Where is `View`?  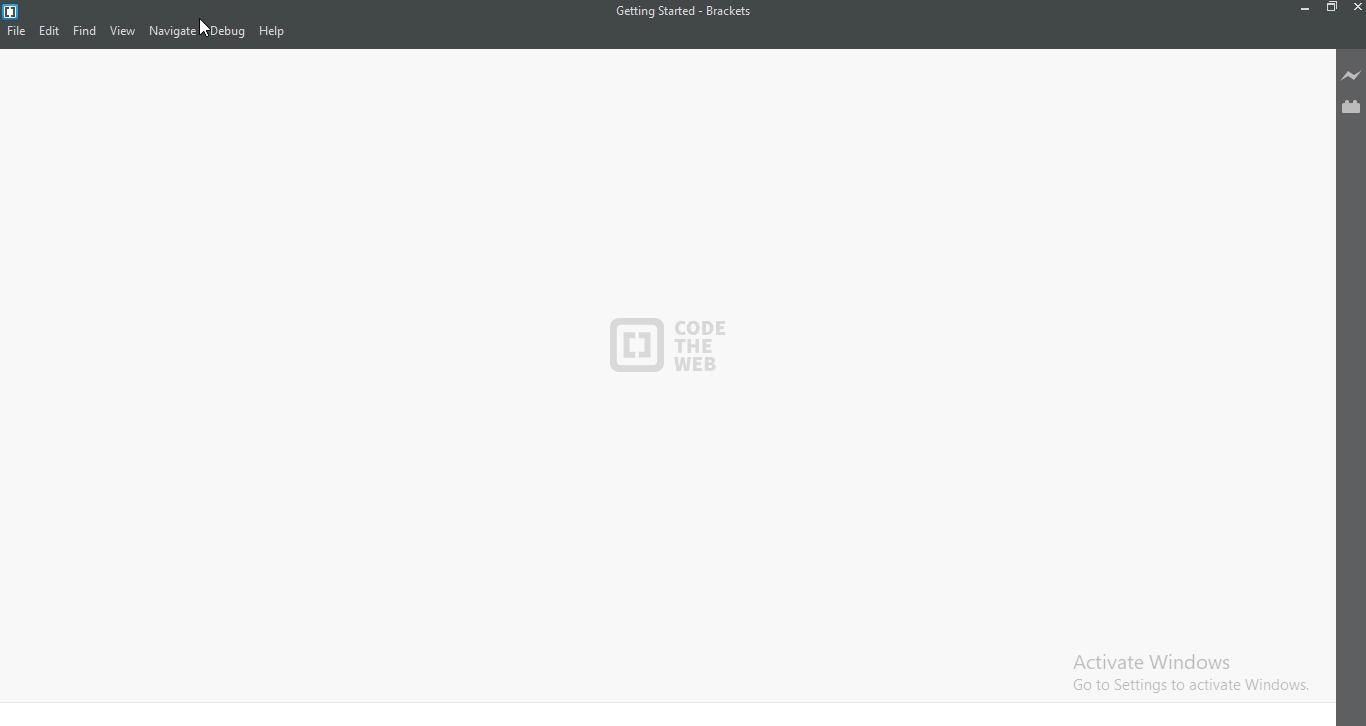
View is located at coordinates (124, 31).